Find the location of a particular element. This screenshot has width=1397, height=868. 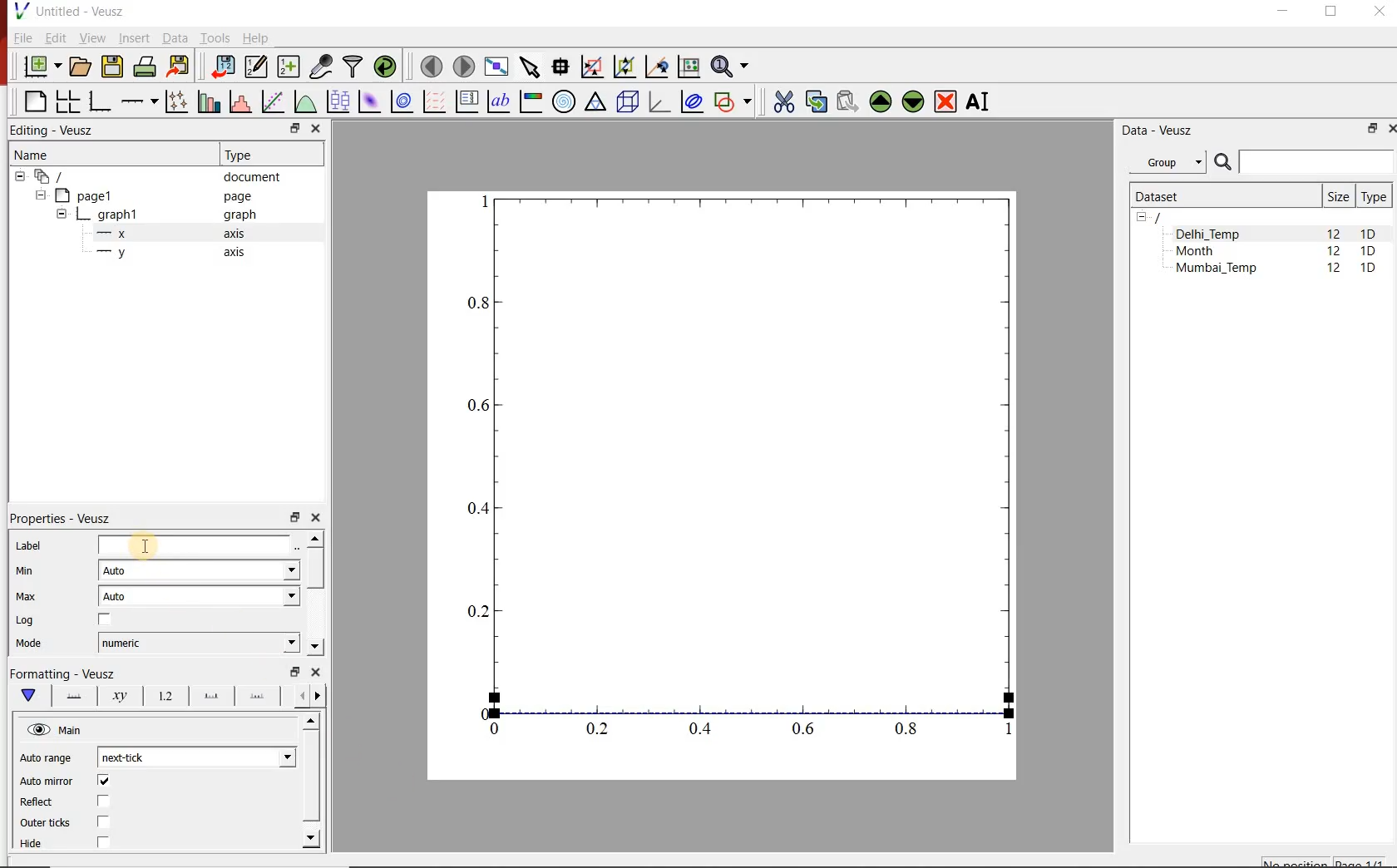

Mumbai_Temp is located at coordinates (1216, 269).